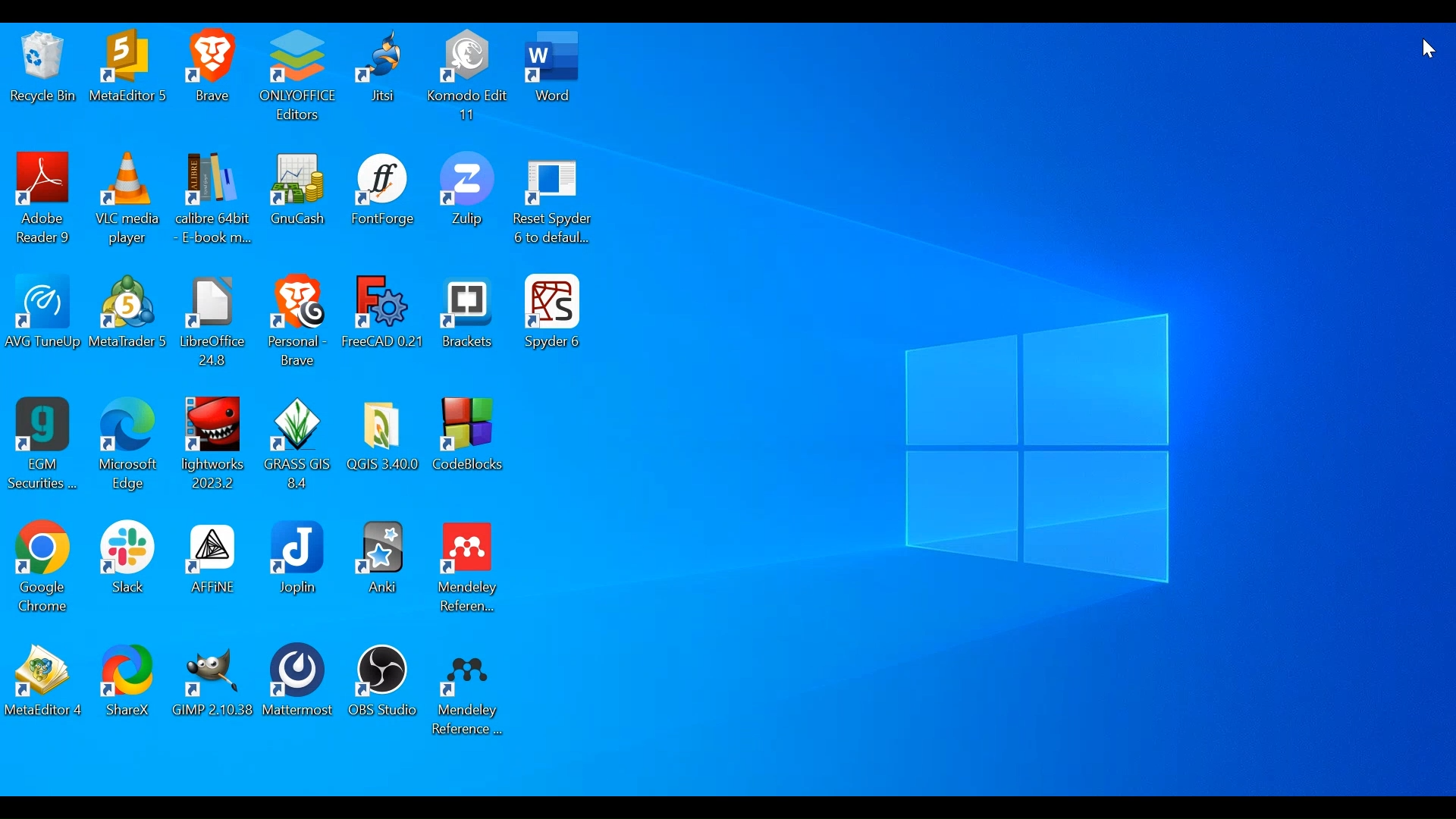  I want to click on Spyder 6, so click(552, 318).